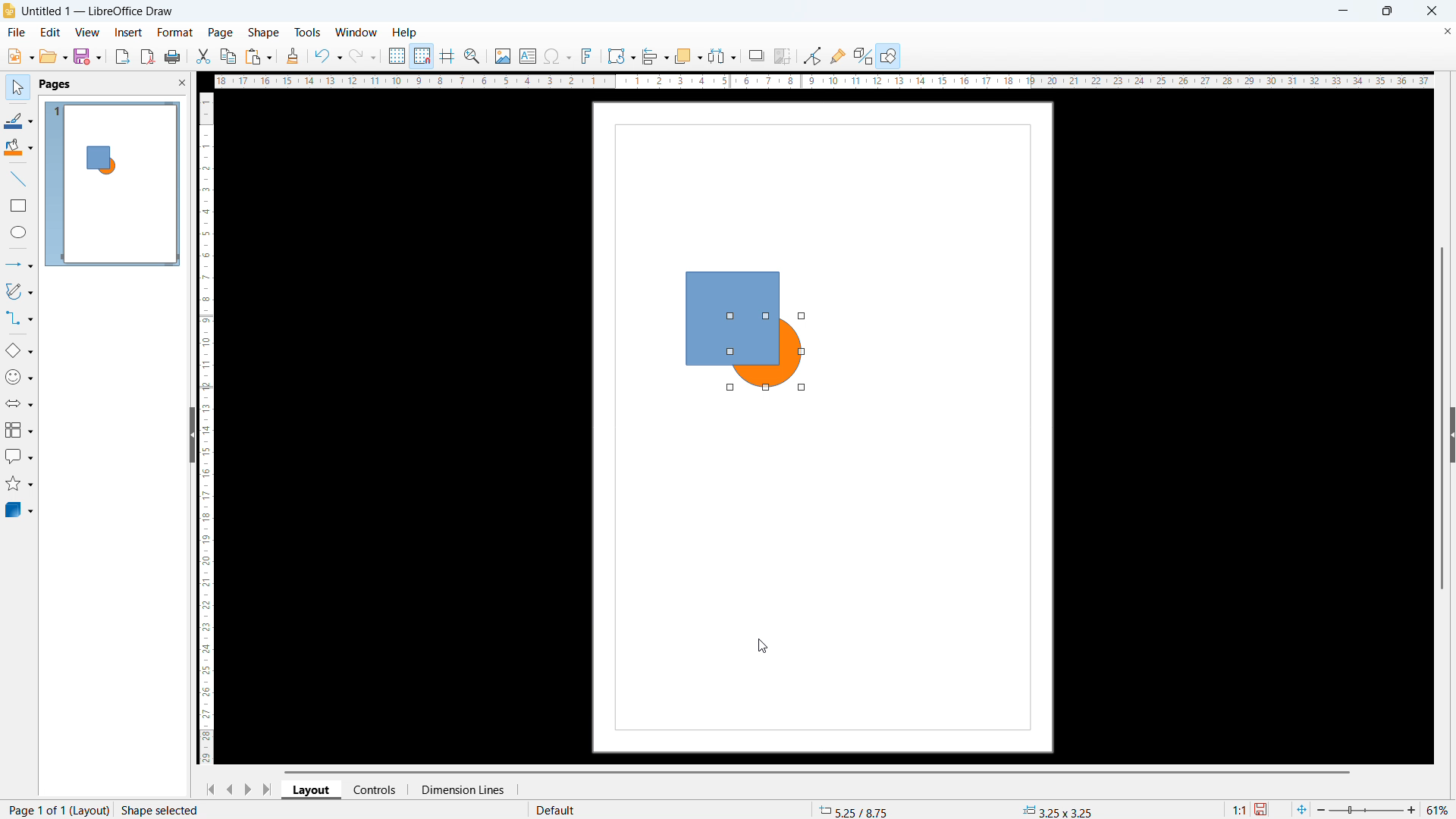 This screenshot has width=1456, height=819. Describe the element at coordinates (1447, 31) in the screenshot. I see `Close document ` at that location.